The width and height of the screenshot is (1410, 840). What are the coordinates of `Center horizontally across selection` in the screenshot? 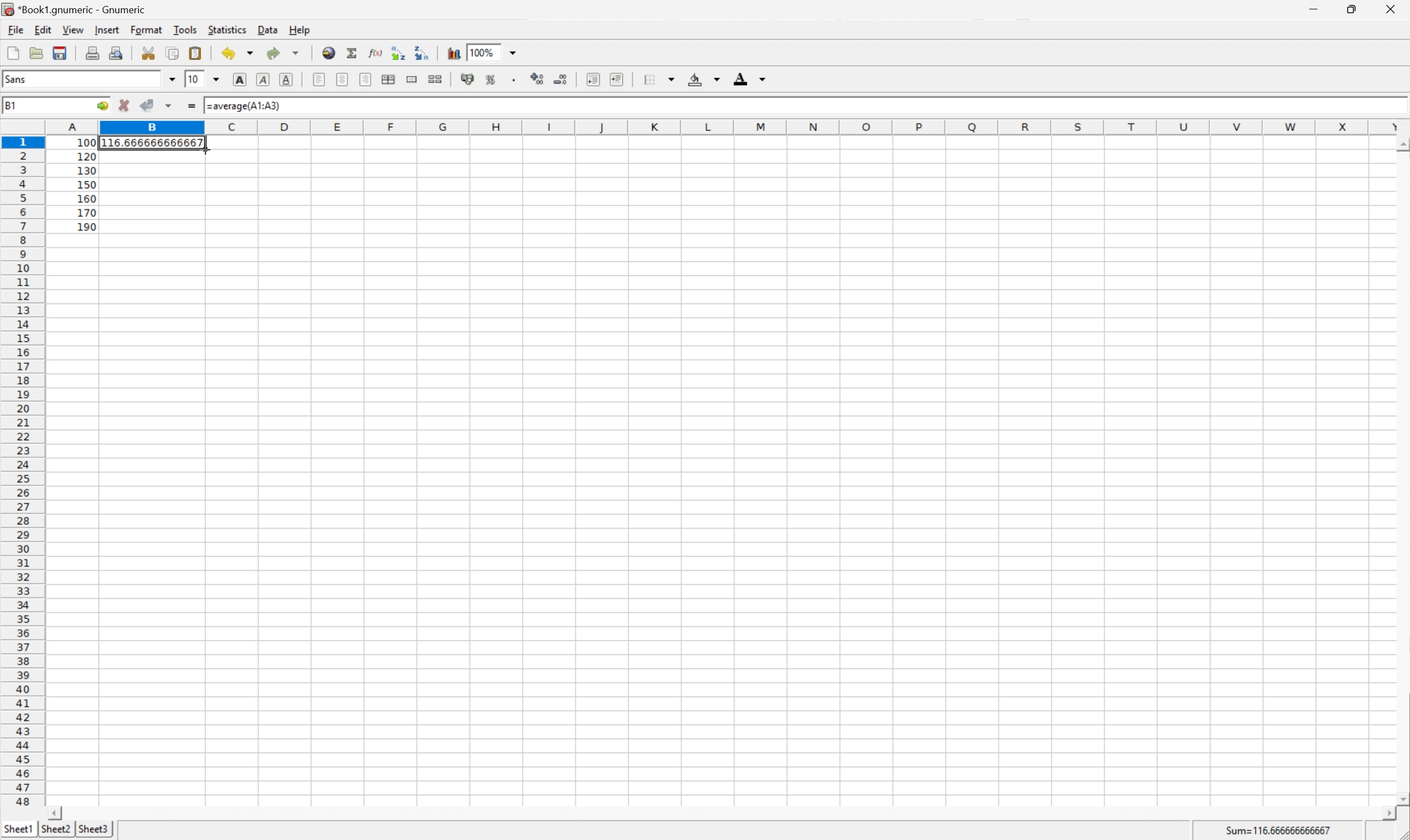 It's located at (388, 79).